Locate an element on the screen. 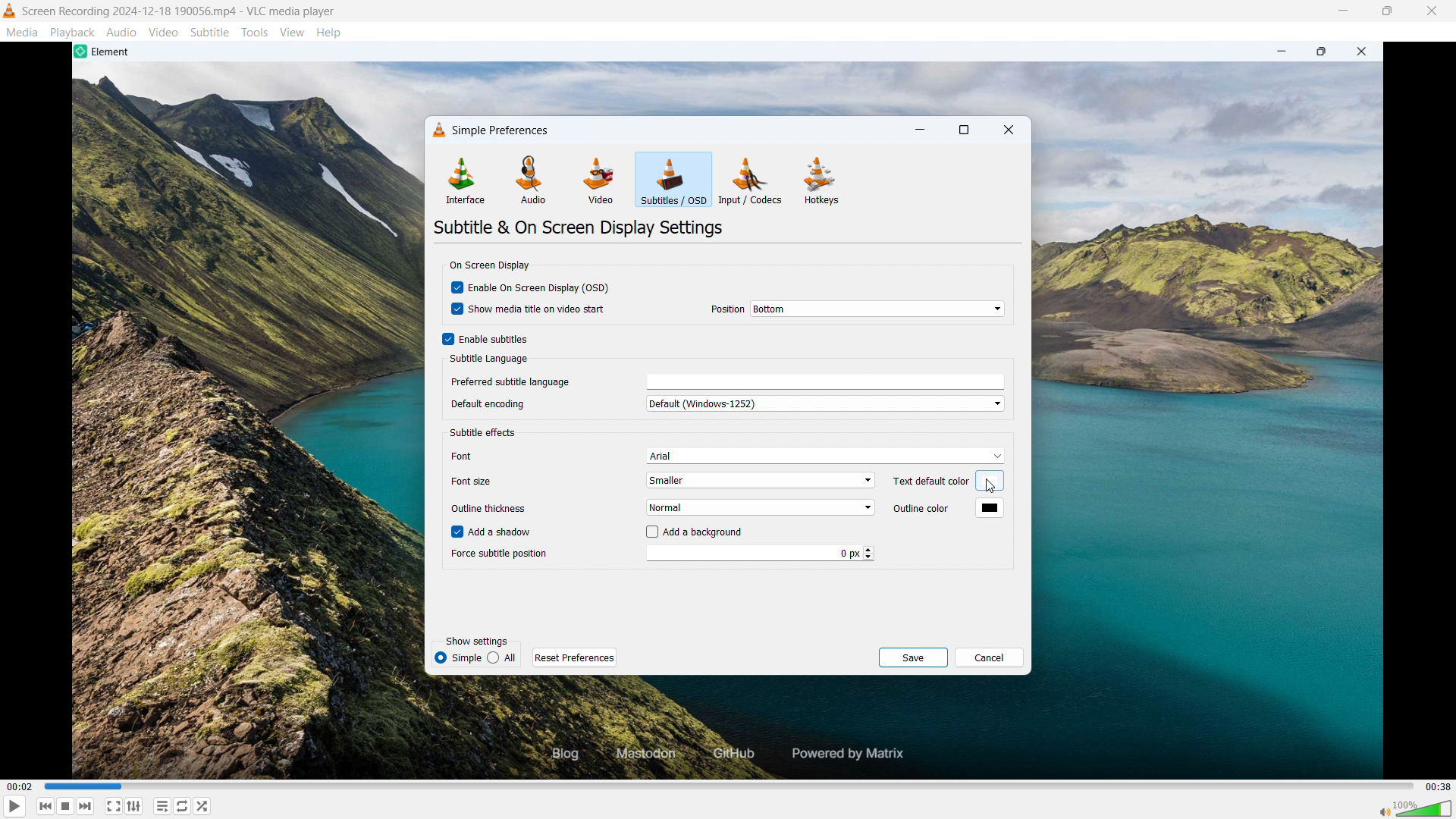 The width and height of the screenshot is (1456, 819). Backward or previous media  is located at coordinates (86, 806).